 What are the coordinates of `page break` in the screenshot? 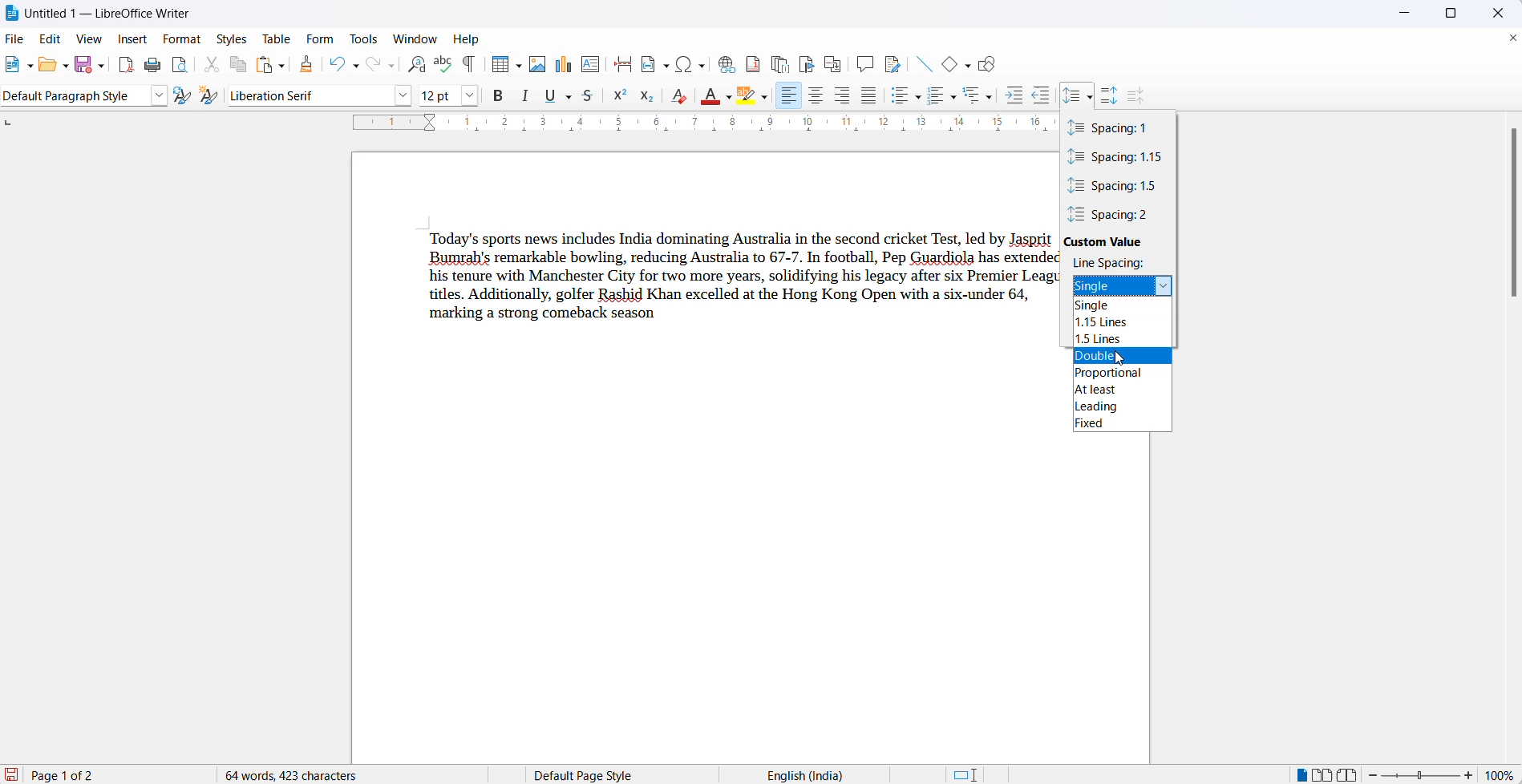 It's located at (622, 64).